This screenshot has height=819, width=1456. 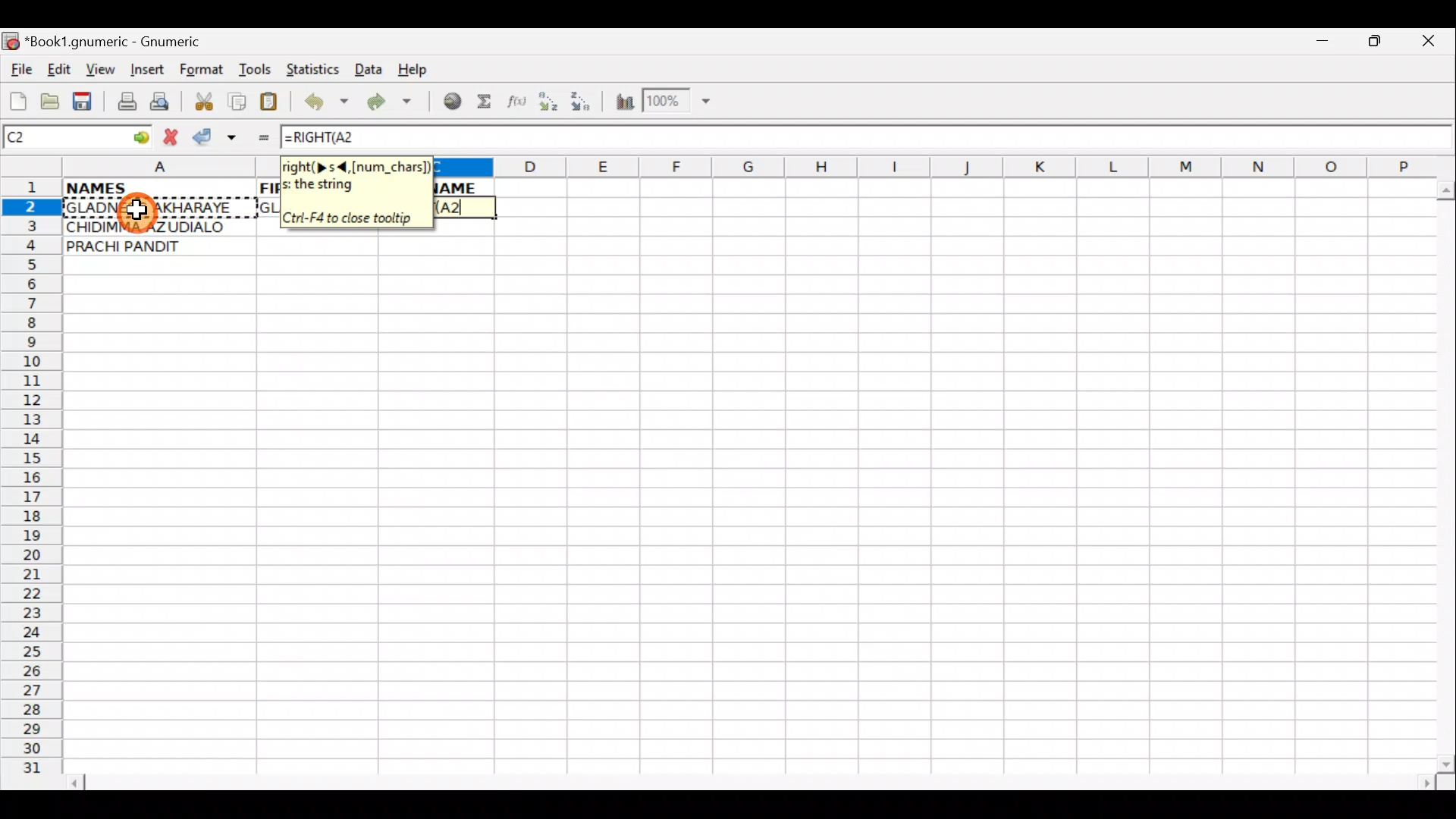 I want to click on Edit function in the current cell, so click(x=519, y=105).